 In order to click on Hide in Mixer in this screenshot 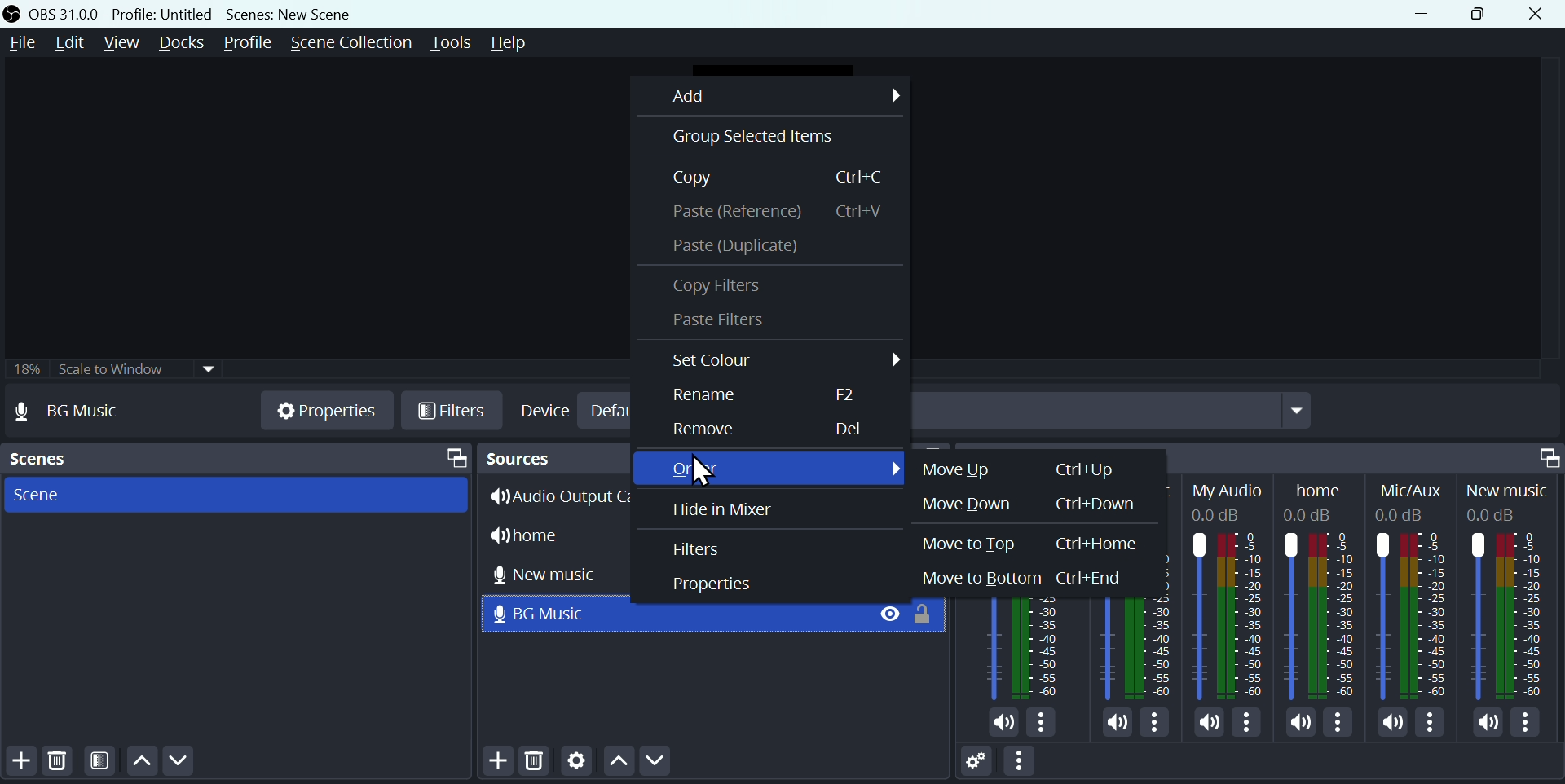, I will do `click(722, 508)`.